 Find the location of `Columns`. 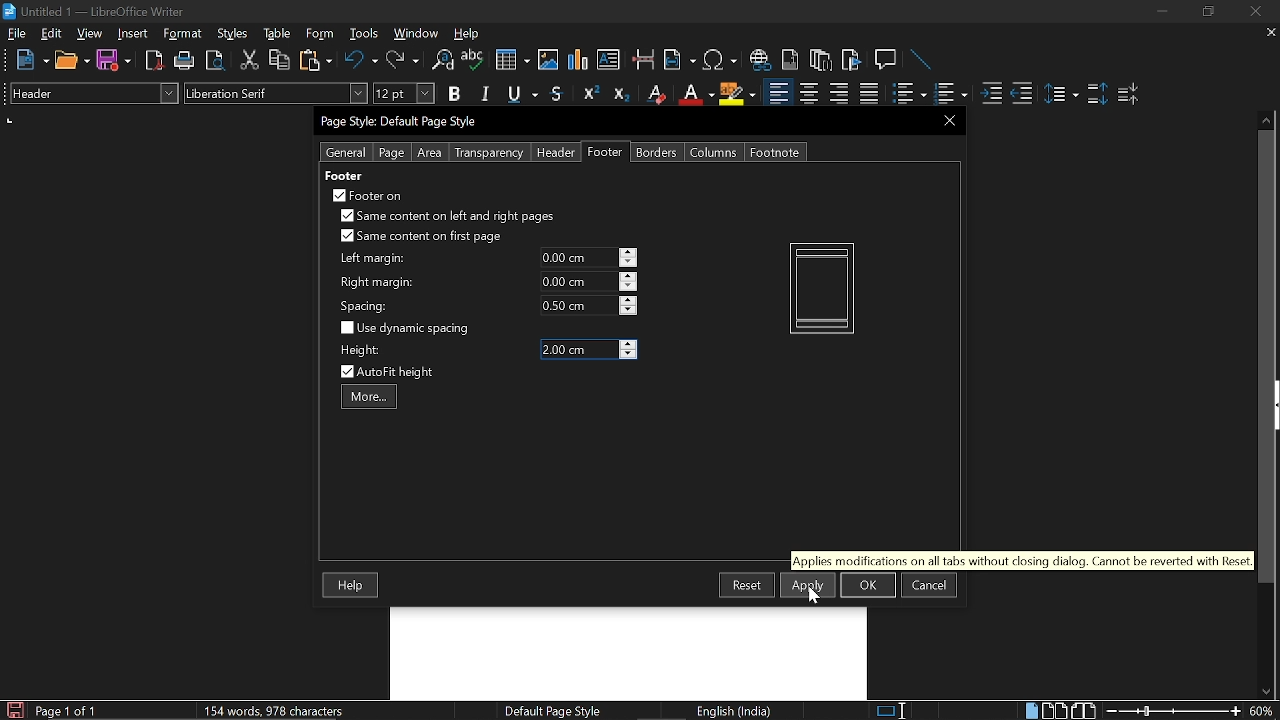

Columns is located at coordinates (714, 152).